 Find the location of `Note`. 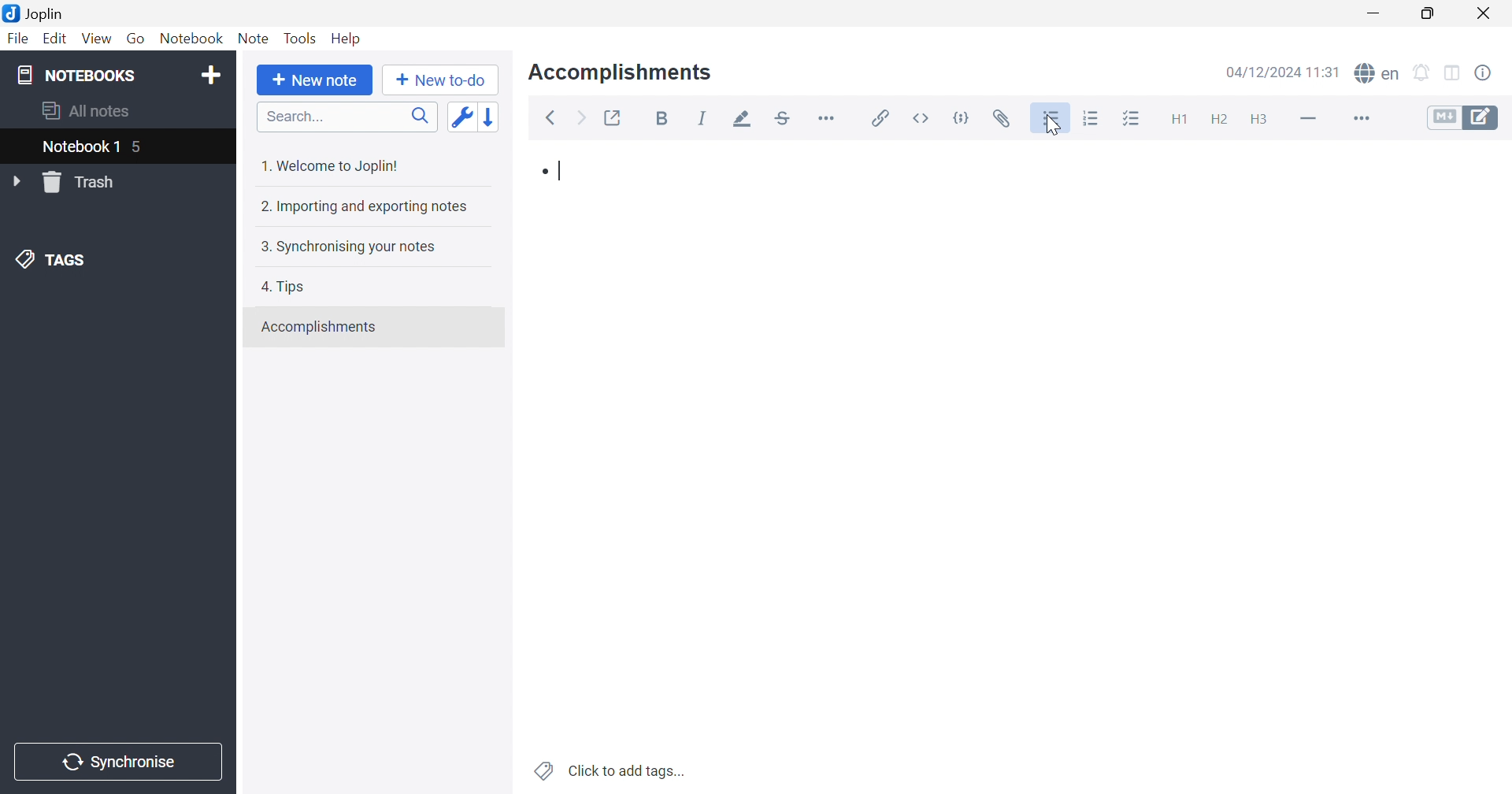

Note is located at coordinates (253, 40).